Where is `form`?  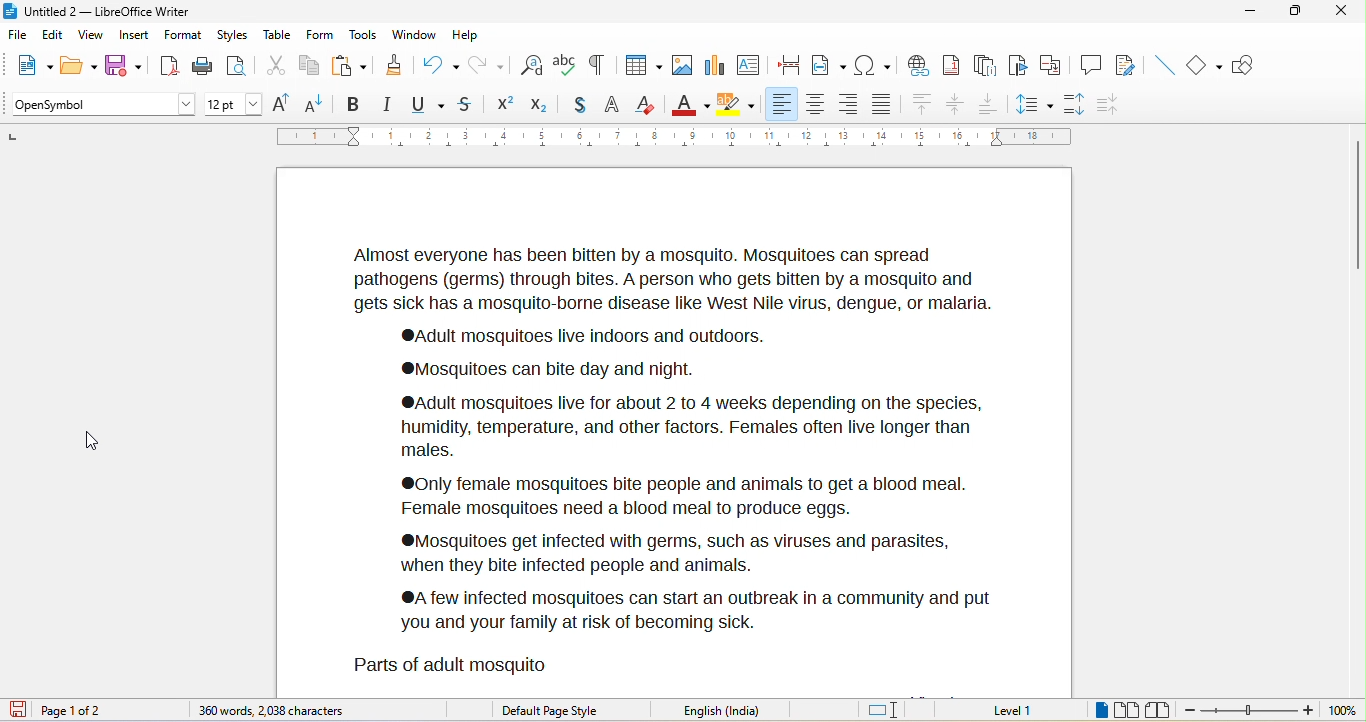
form is located at coordinates (318, 33).